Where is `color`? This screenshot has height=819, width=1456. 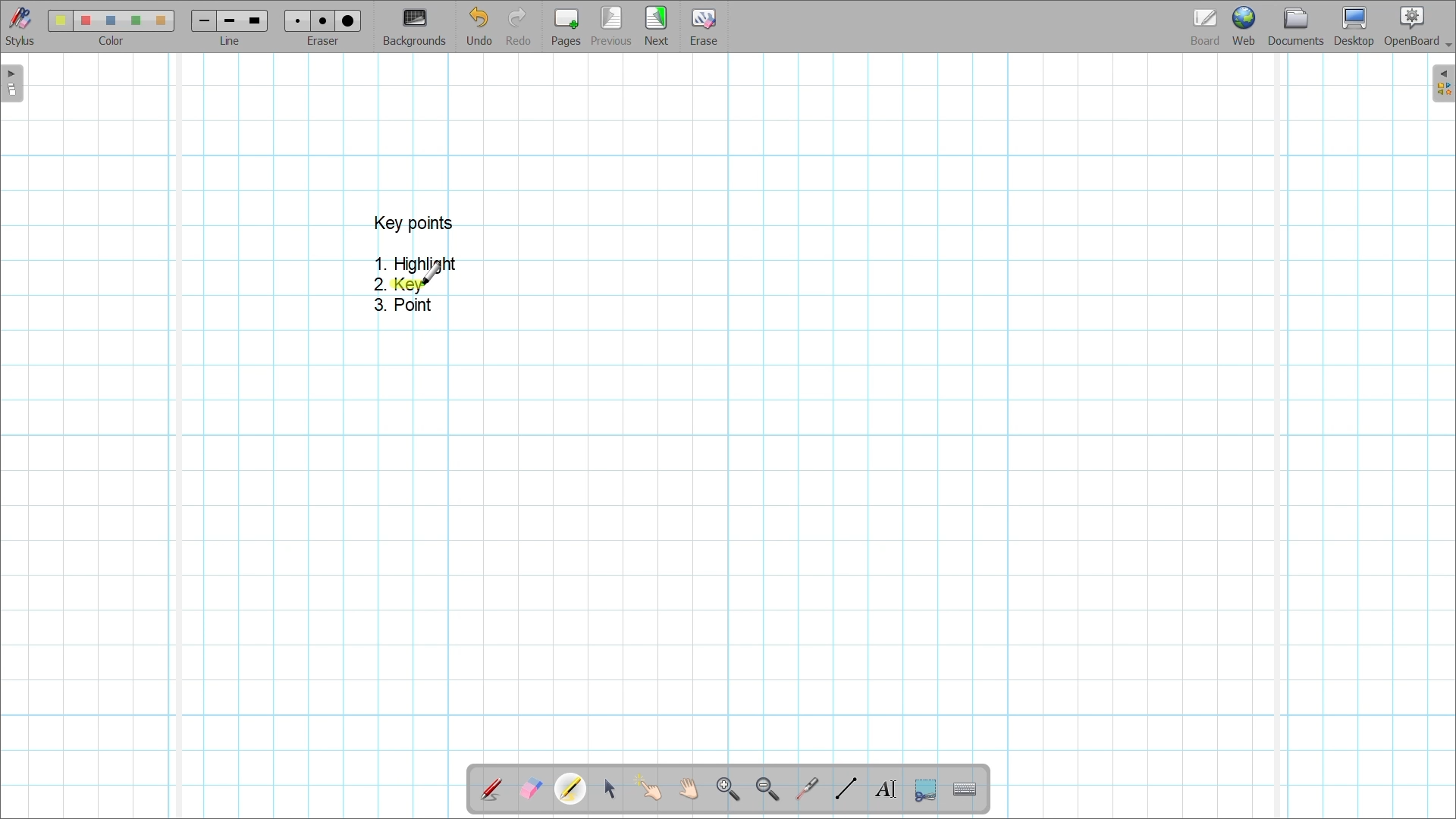 color is located at coordinates (108, 41).